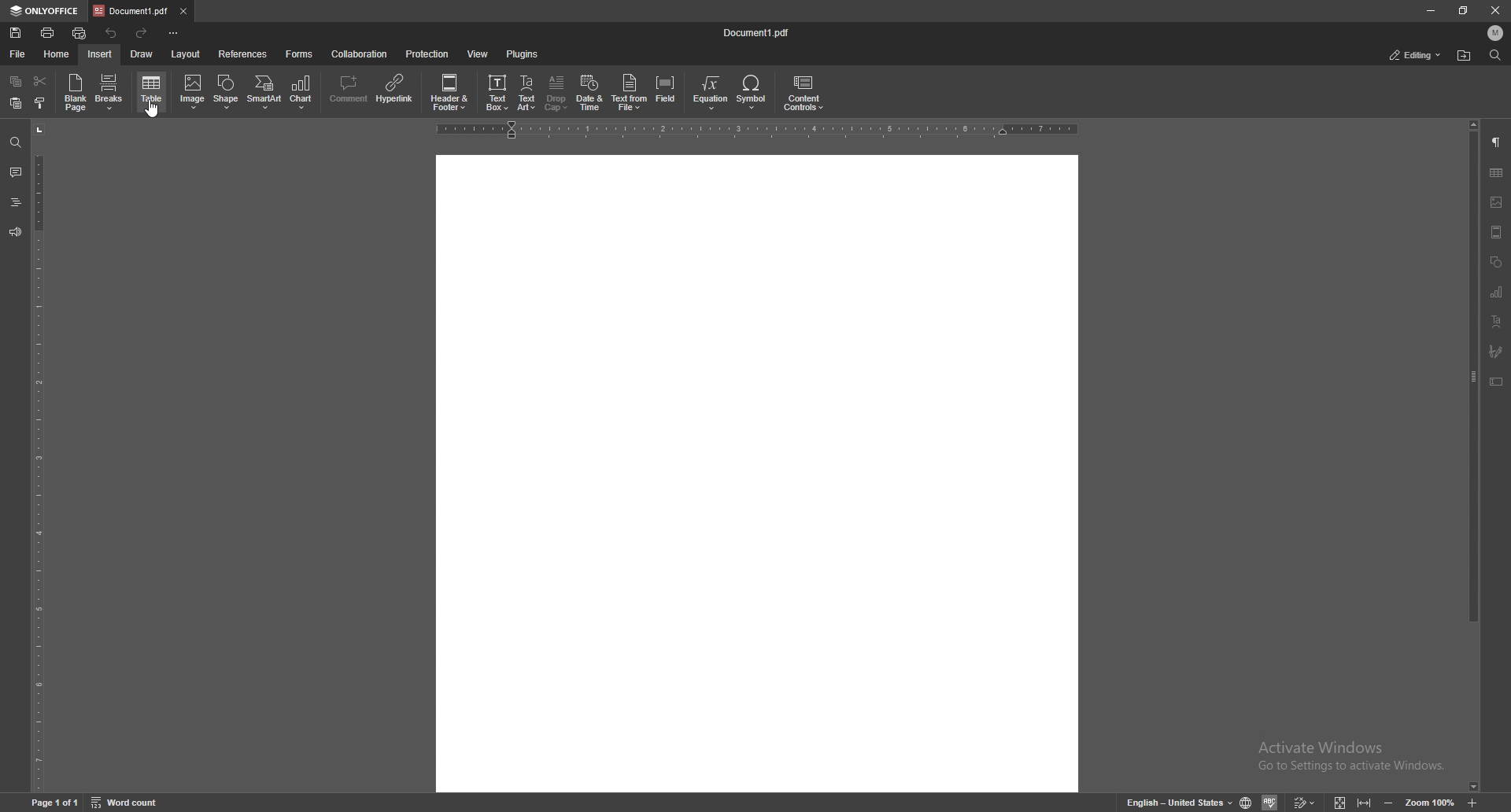  I want to click on print, so click(48, 32).